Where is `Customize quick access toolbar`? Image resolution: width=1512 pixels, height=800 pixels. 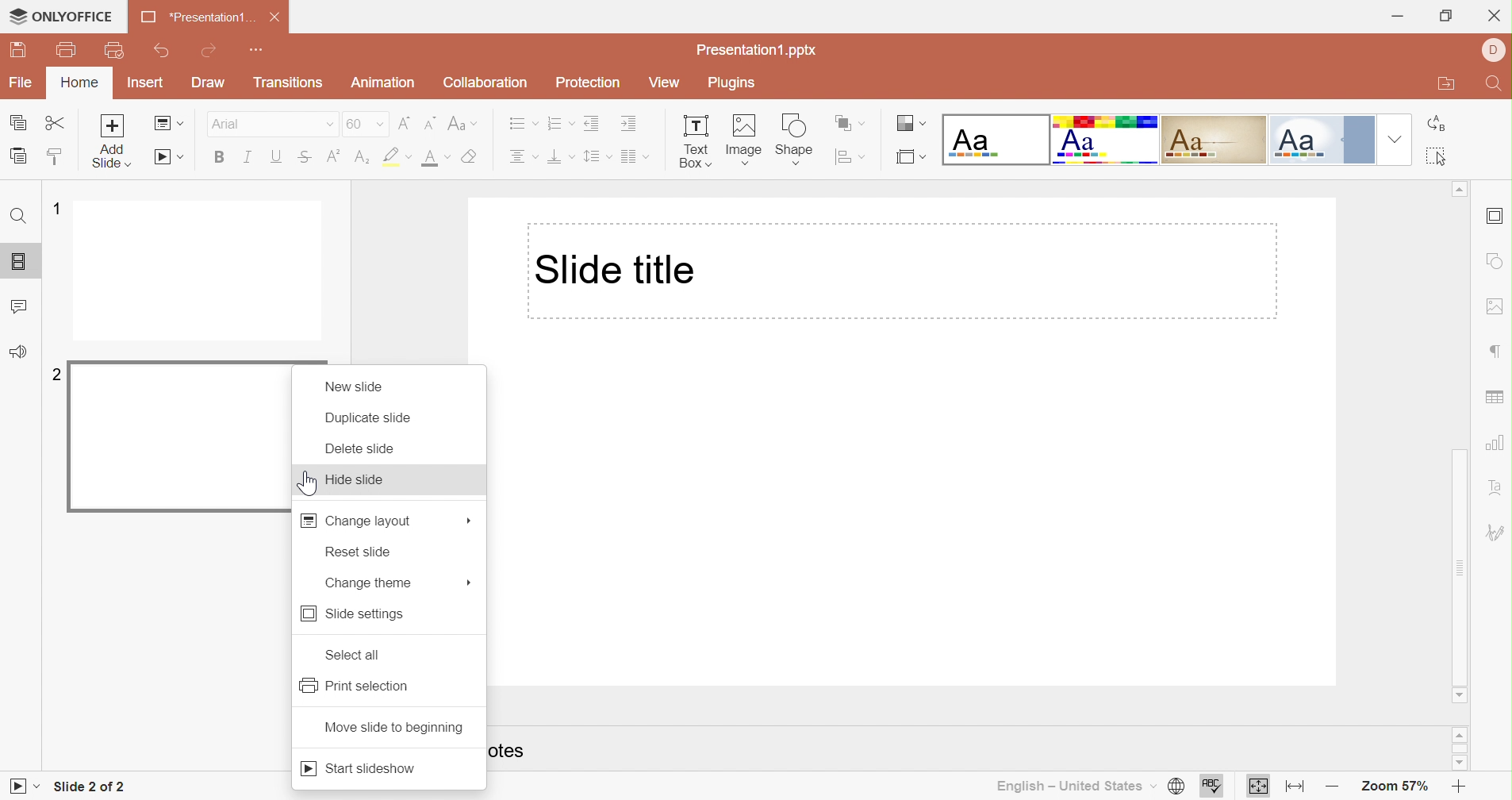 Customize quick access toolbar is located at coordinates (256, 50).